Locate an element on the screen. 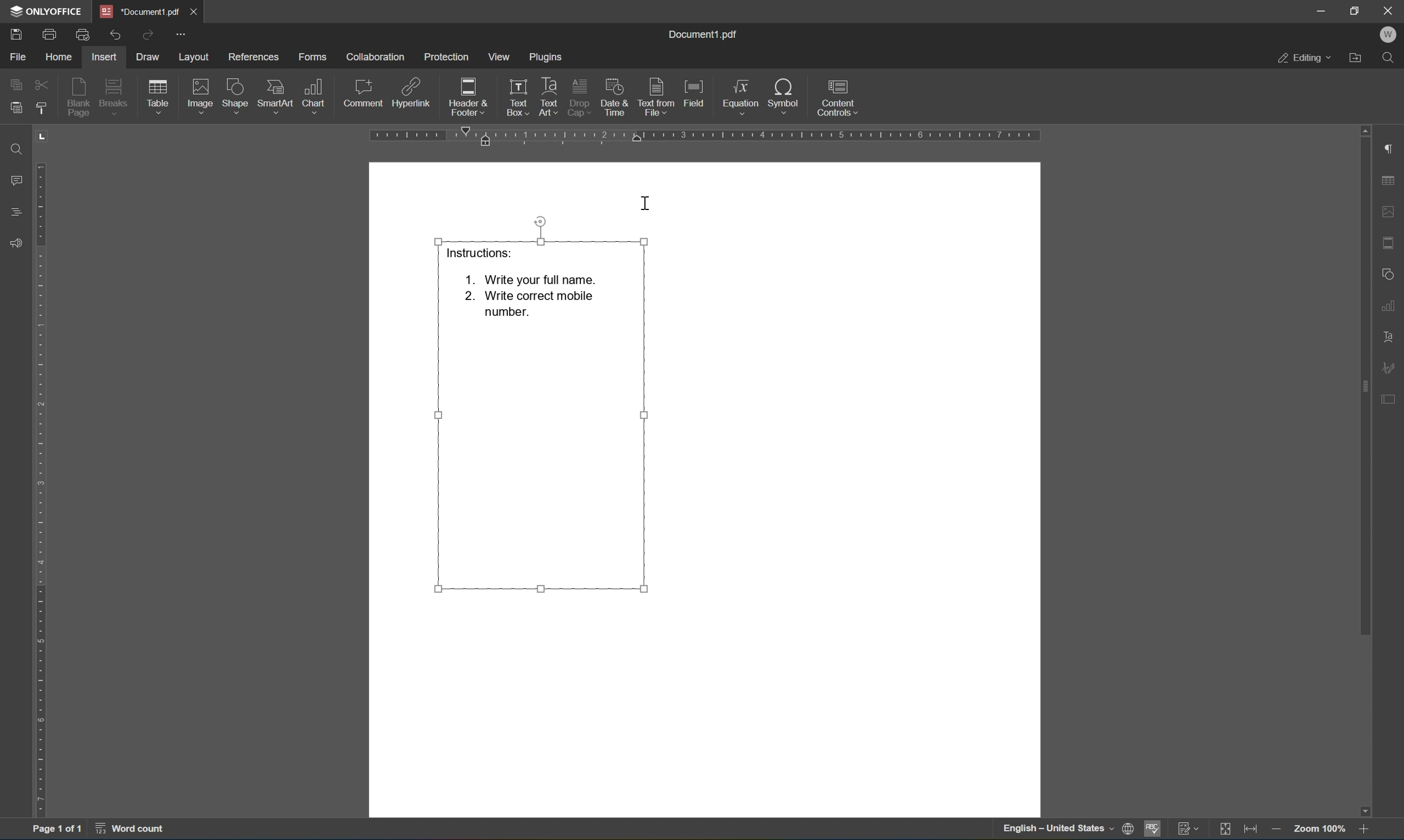 The height and width of the screenshot is (840, 1404). zoom in is located at coordinates (1279, 830).